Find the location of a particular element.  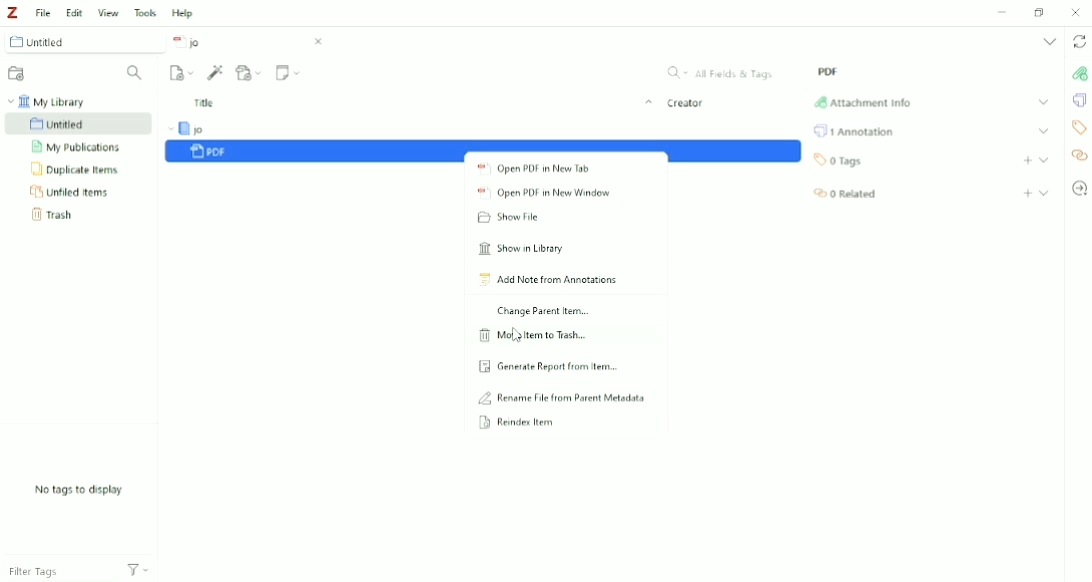

Title is located at coordinates (421, 104).